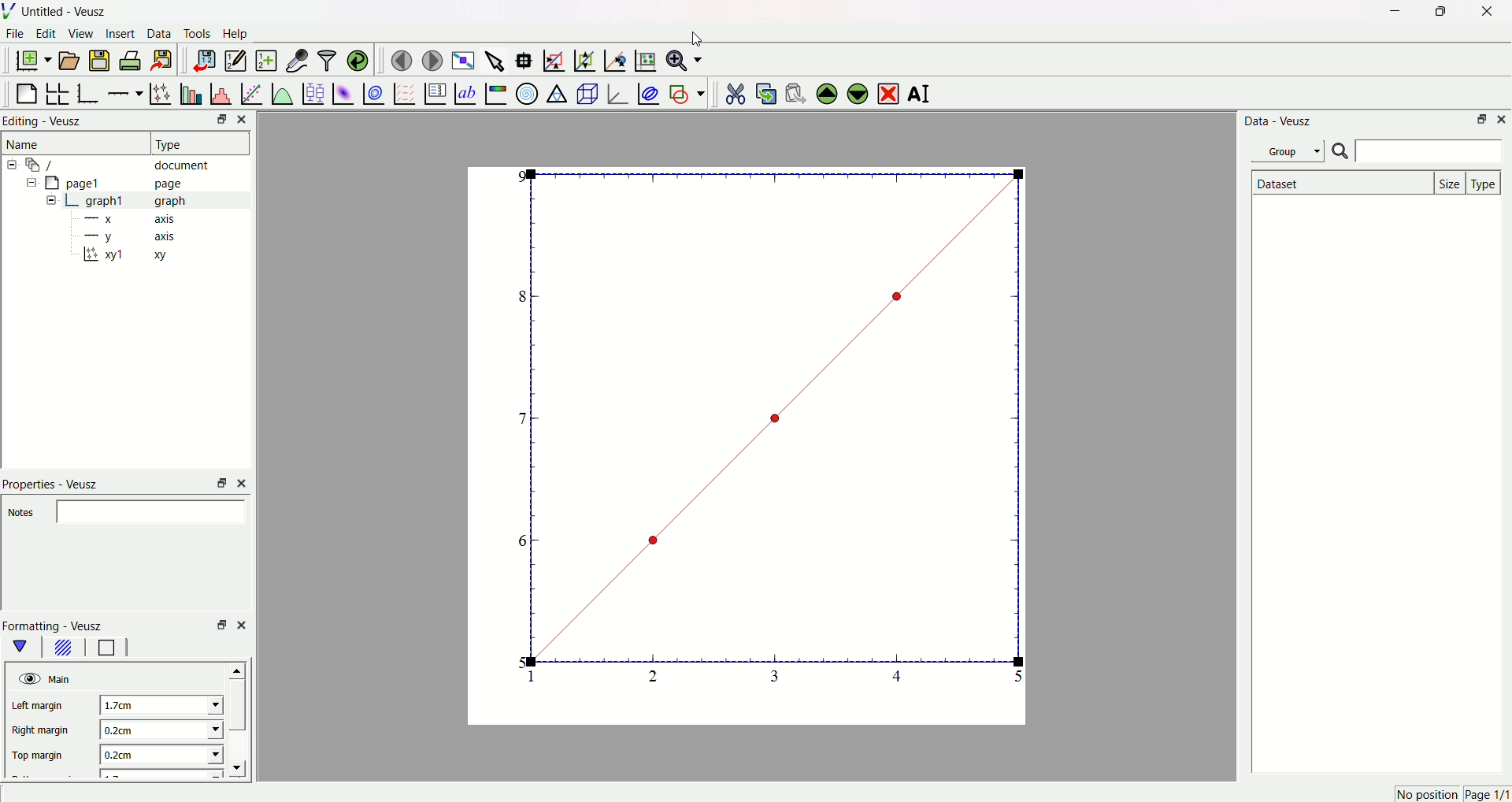  Describe the element at coordinates (193, 143) in the screenshot. I see `Type` at that location.